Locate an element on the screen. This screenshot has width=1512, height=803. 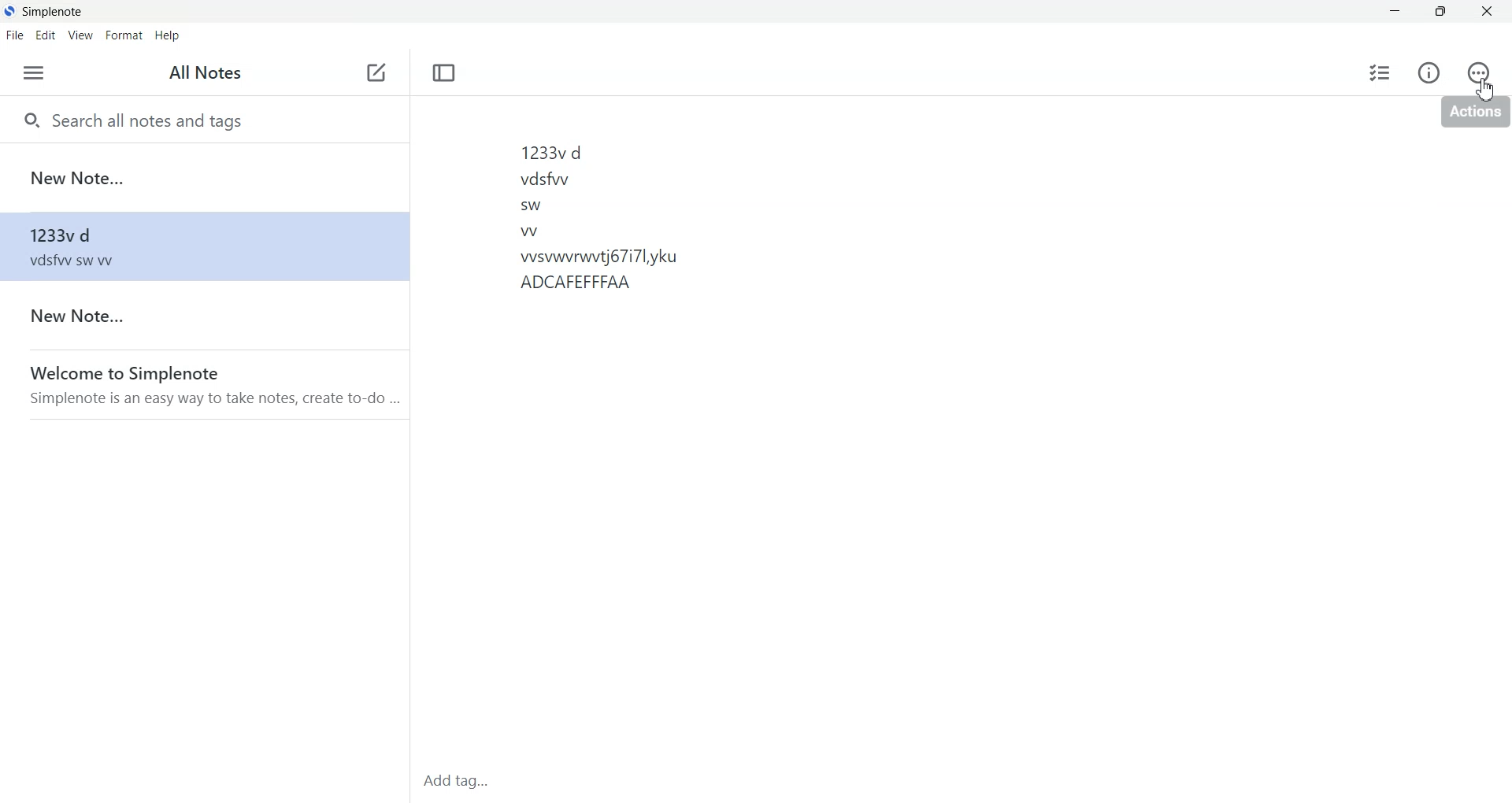
1233vd is located at coordinates (203, 246).